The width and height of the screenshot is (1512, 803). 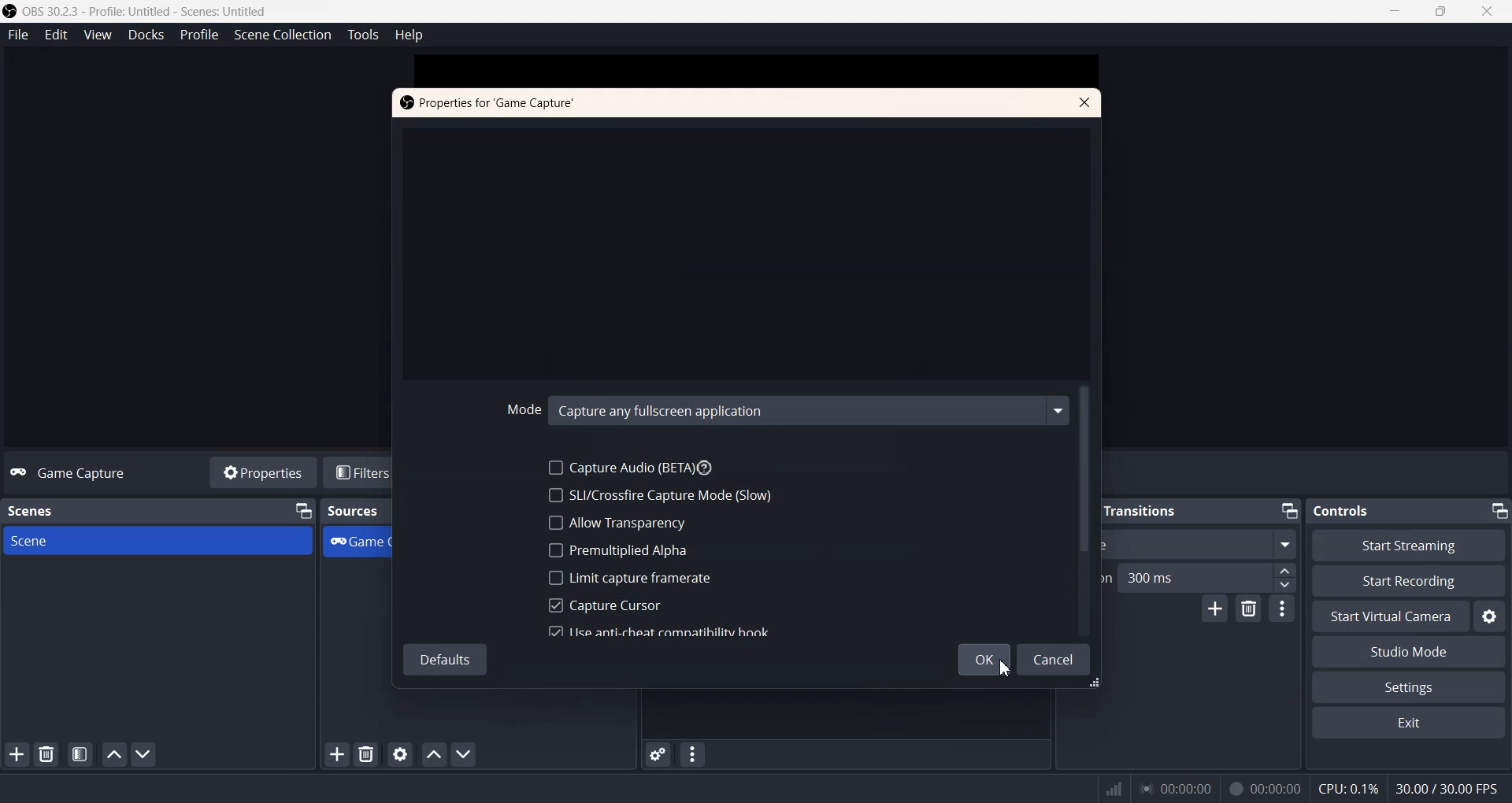 I want to click on Capture Audio , so click(x=636, y=466).